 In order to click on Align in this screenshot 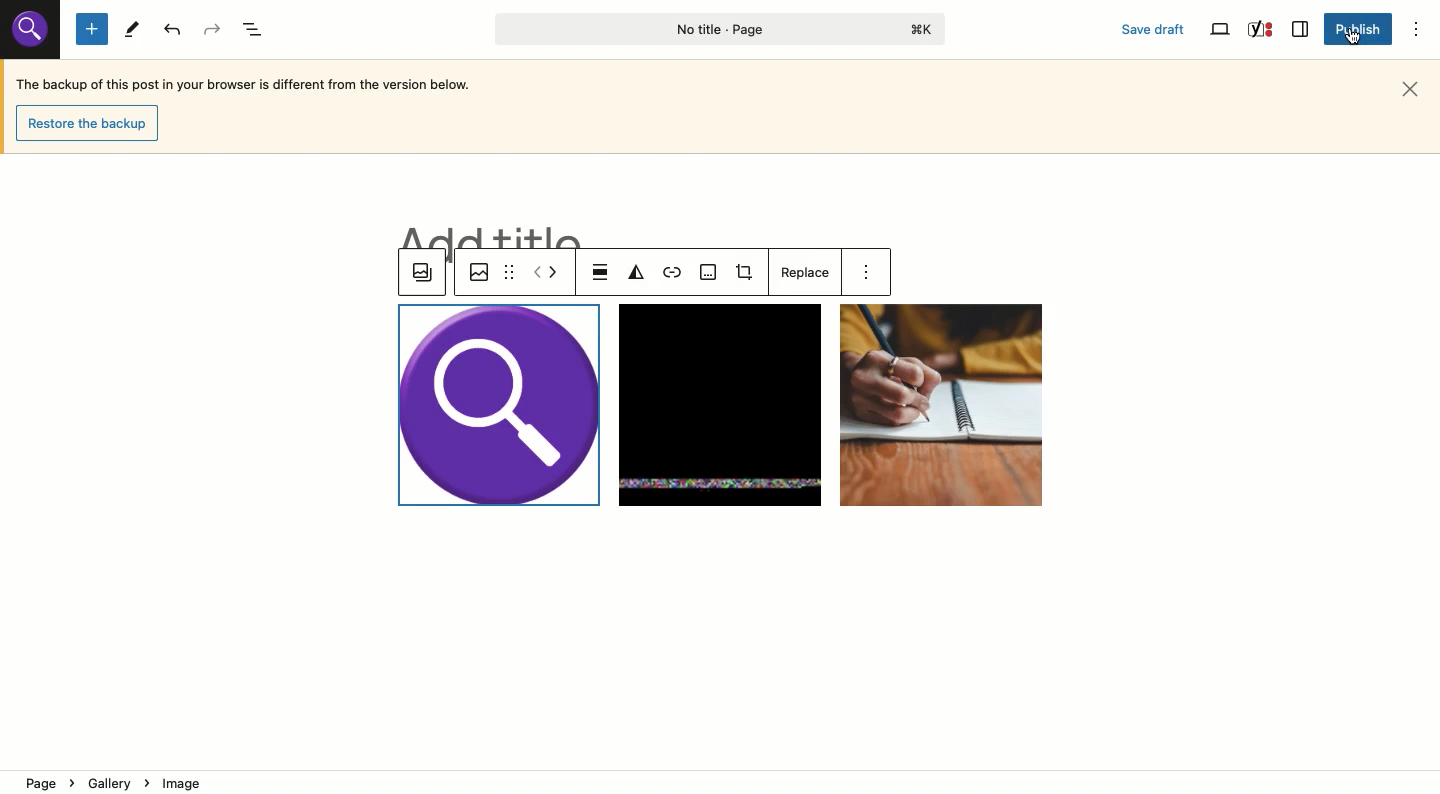, I will do `click(601, 273)`.